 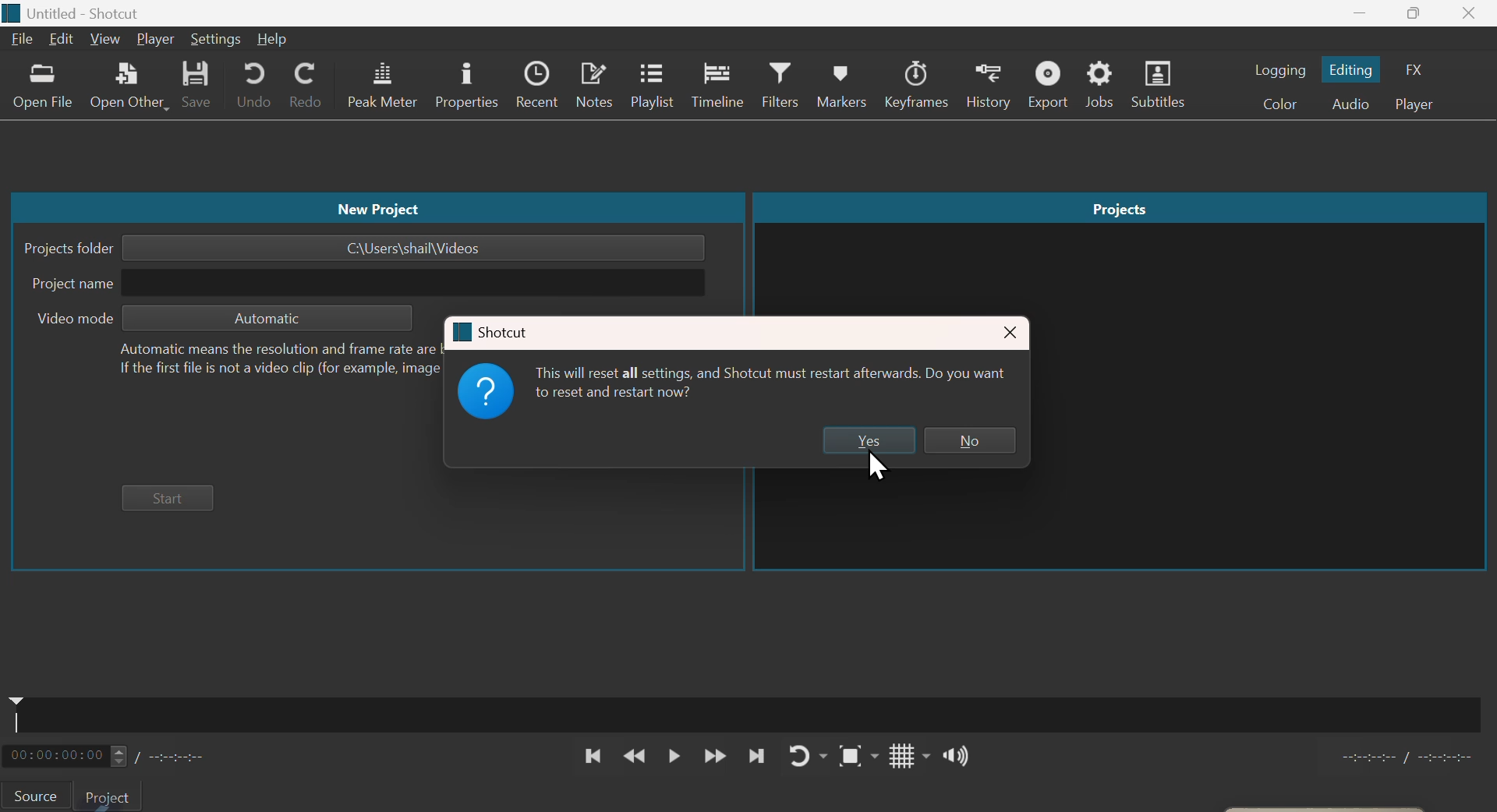 What do you see at coordinates (199, 90) in the screenshot?
I see `save` at bounding box center [199, 90].